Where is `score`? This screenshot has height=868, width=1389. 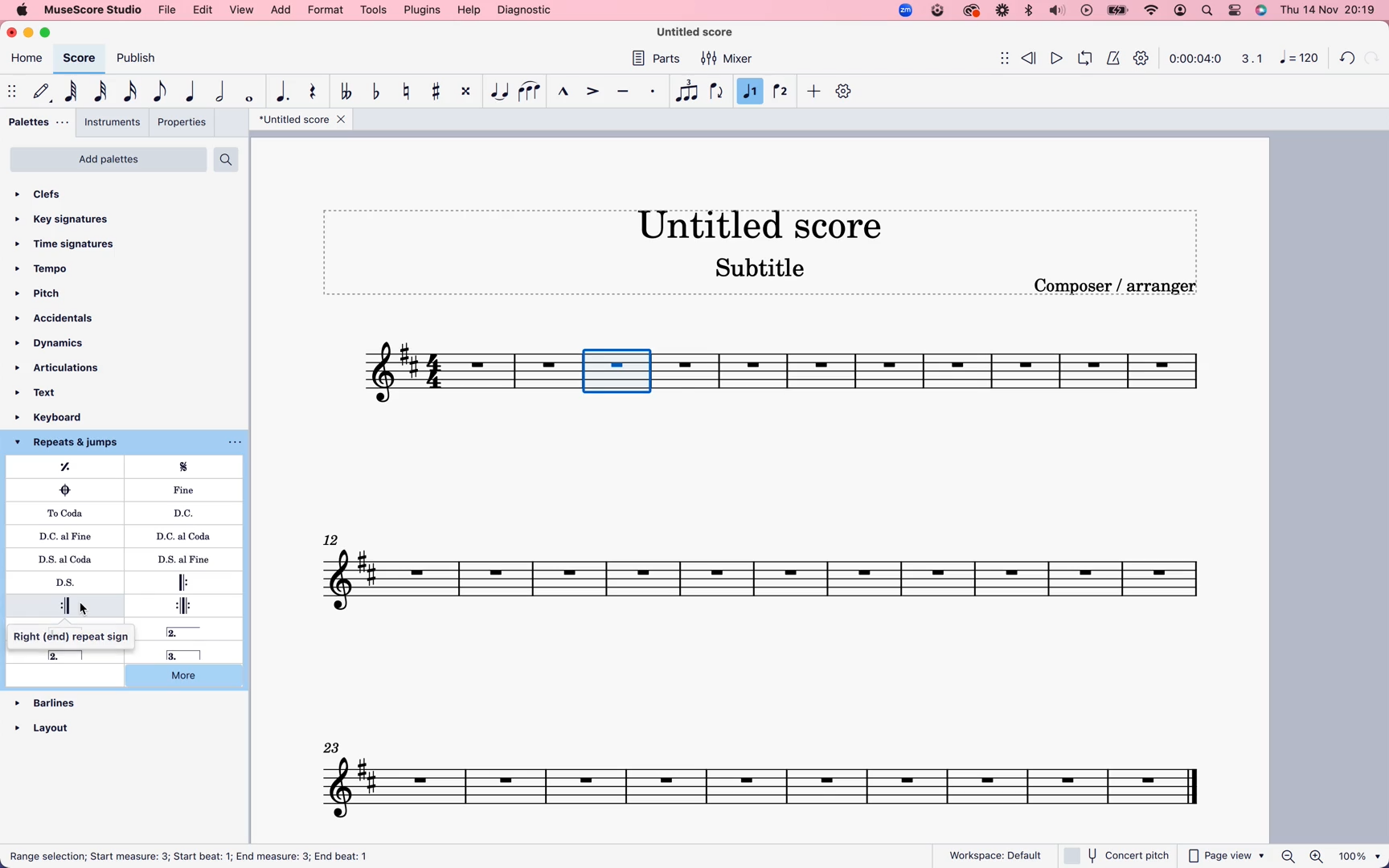 score is located at coordinates (79, 58).